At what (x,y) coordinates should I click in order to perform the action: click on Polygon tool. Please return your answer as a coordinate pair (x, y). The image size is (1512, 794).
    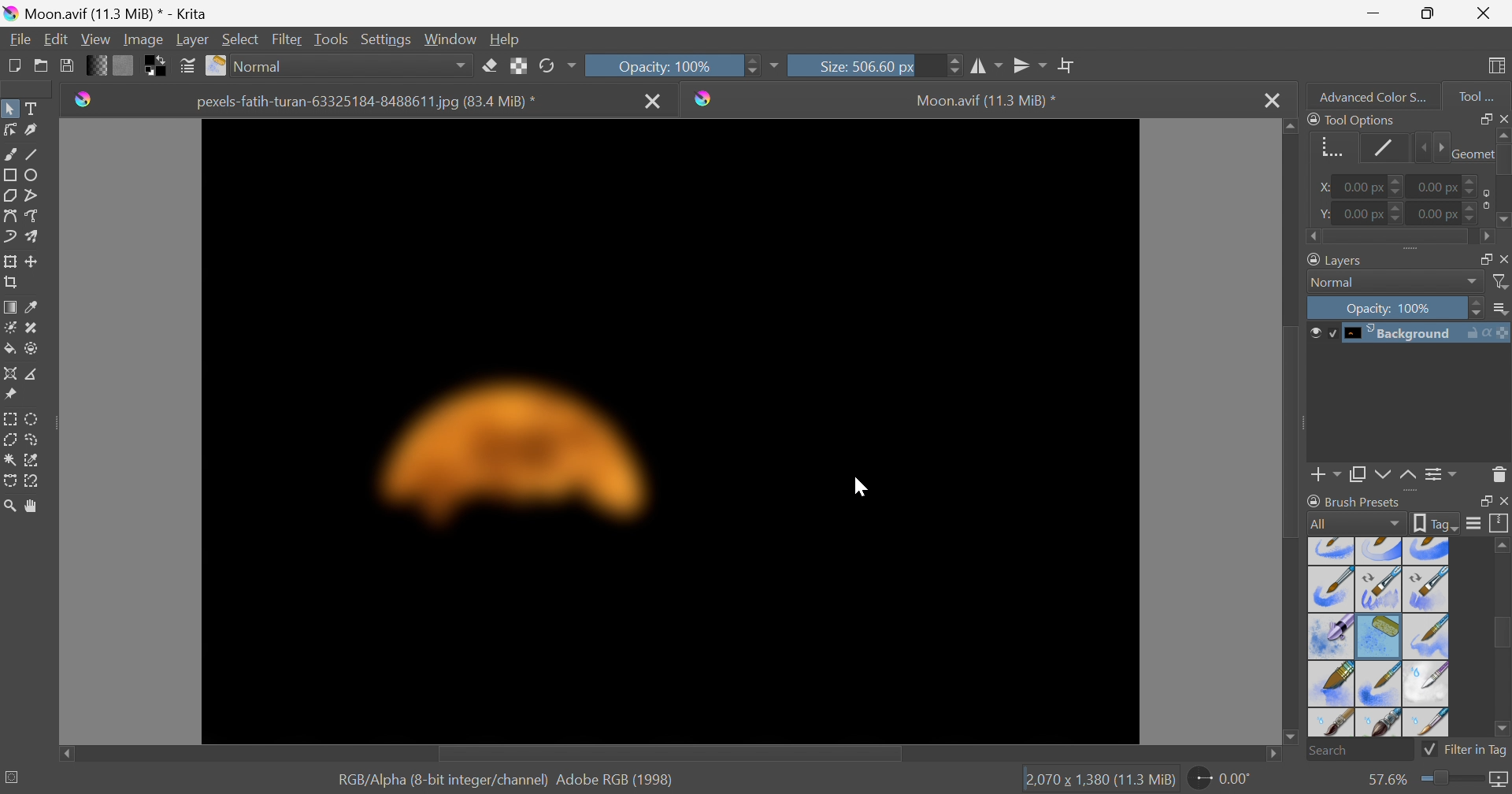
    Looking at the image, I should click on (9, 195).